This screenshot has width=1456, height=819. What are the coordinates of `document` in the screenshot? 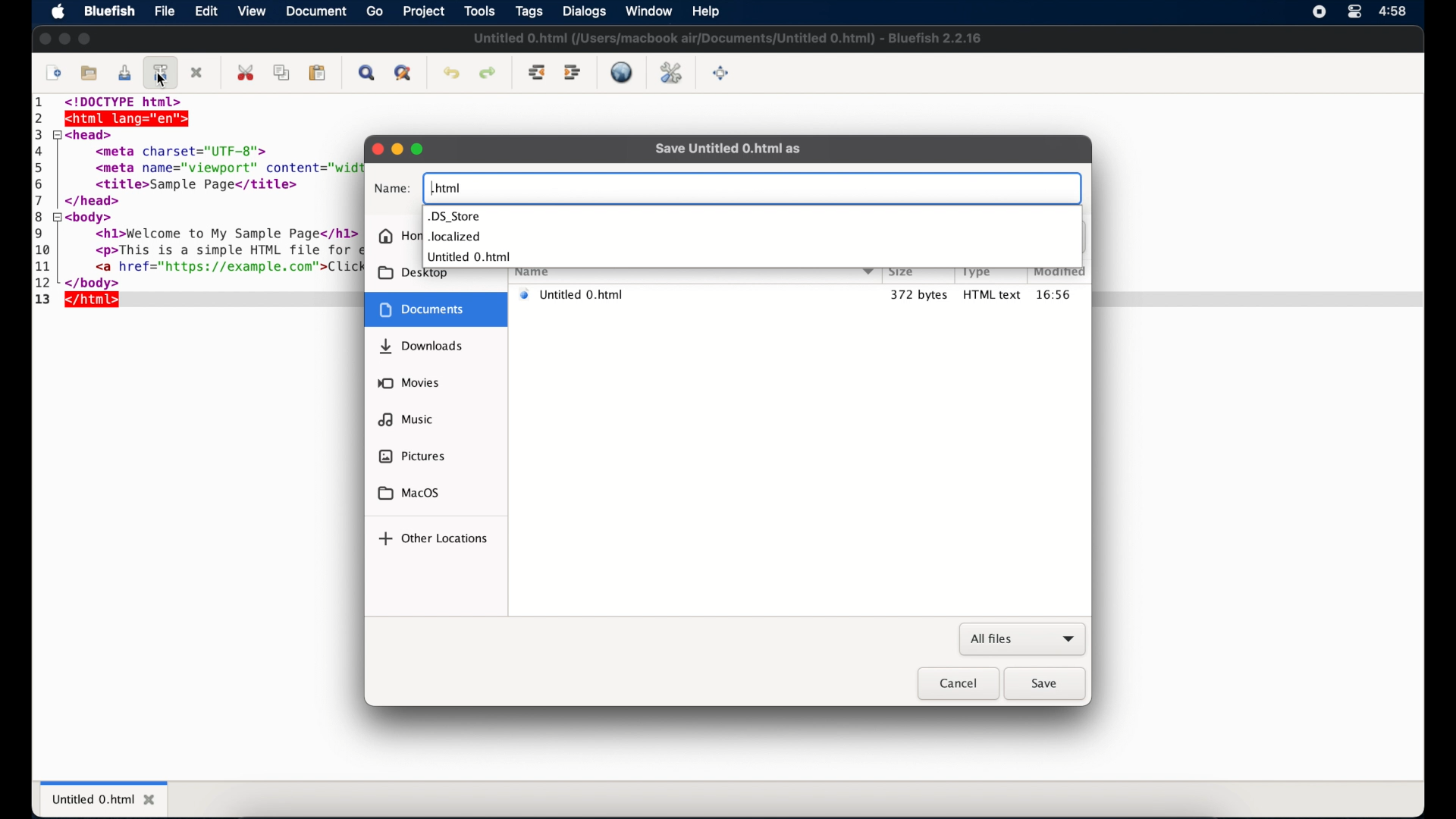 It's located at (318, 12).